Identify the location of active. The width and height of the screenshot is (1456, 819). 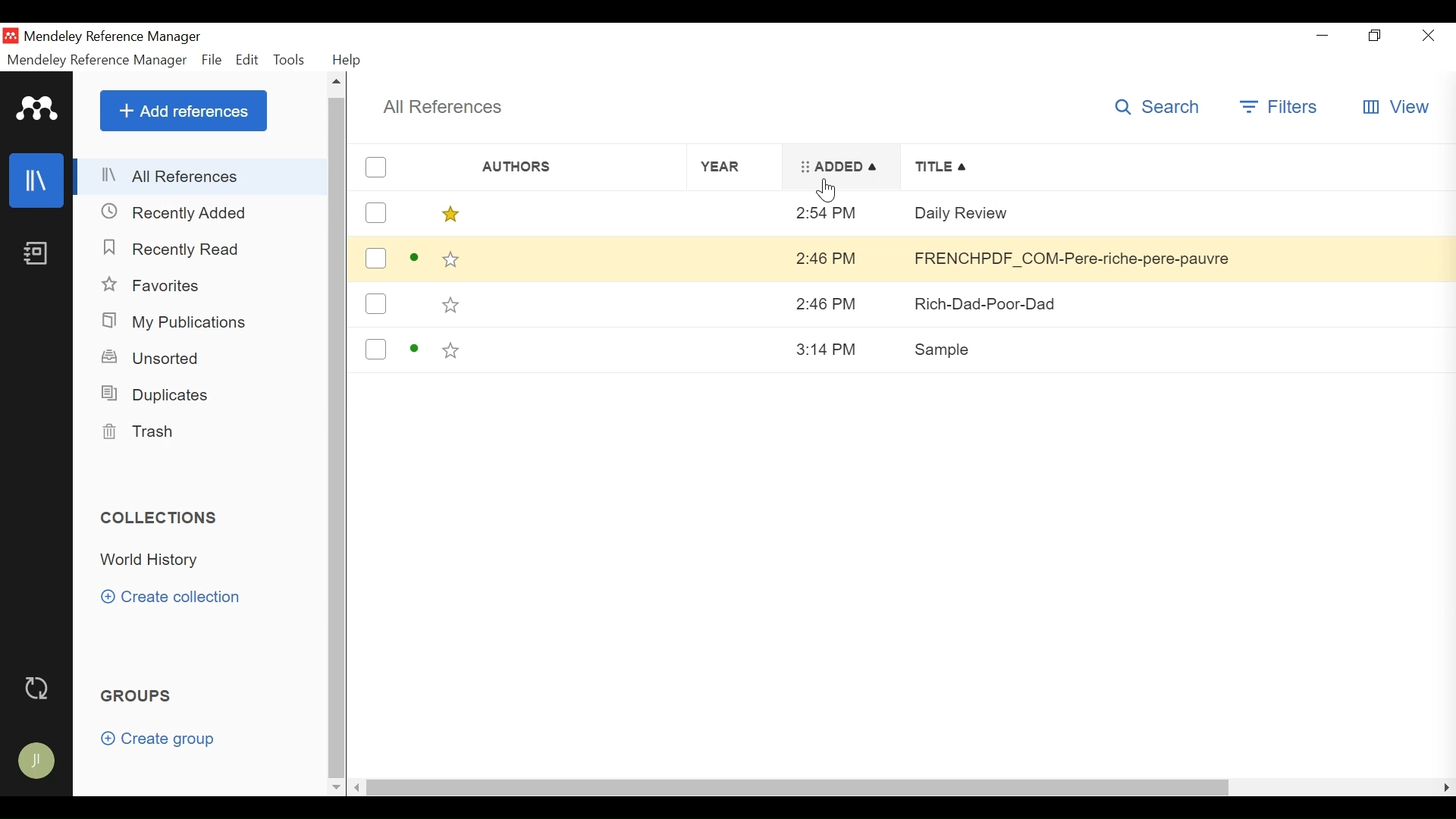
(414, 257).